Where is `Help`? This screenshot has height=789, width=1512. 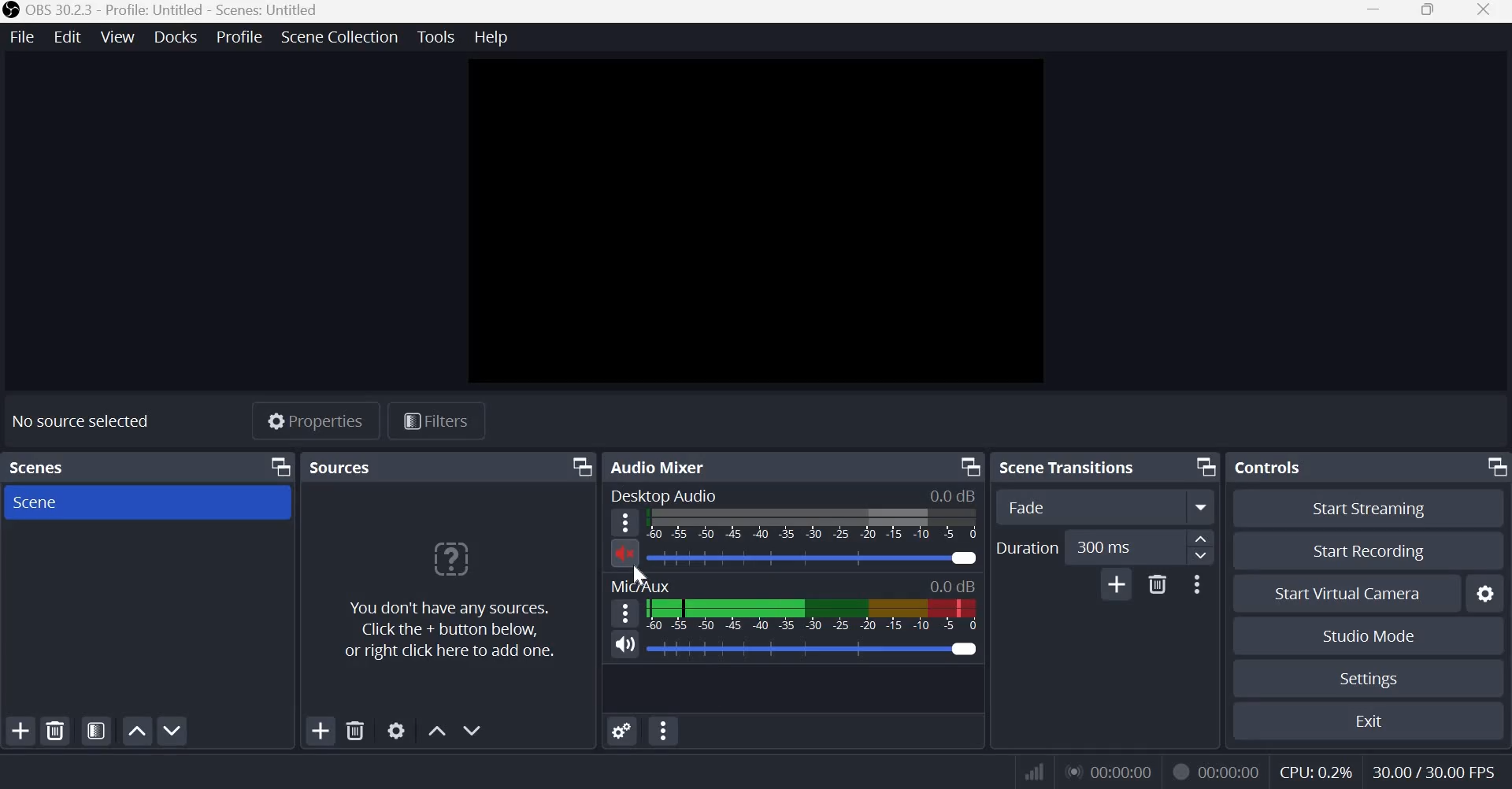
Help is located at coordinates (490, 35).